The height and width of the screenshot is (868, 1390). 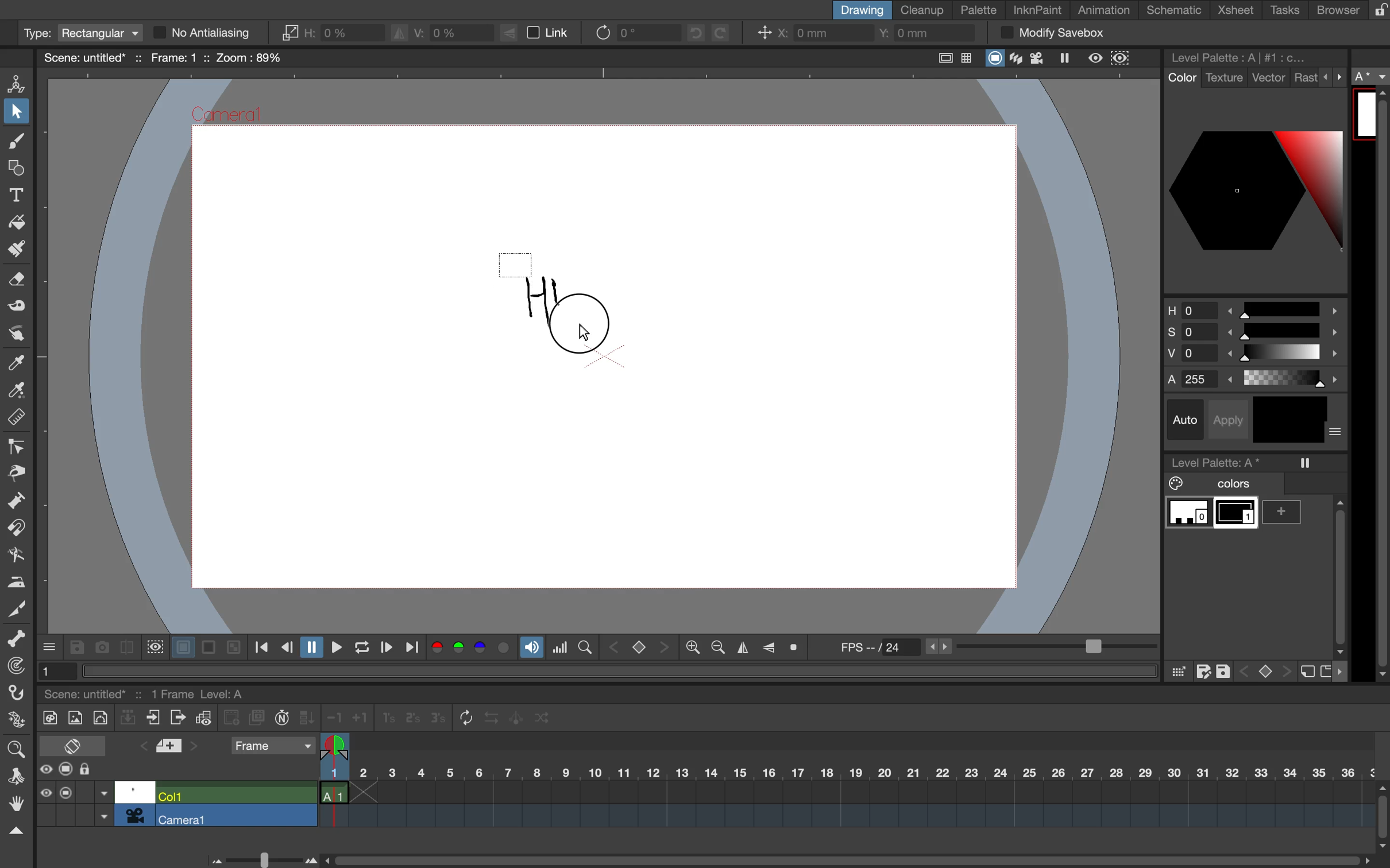 I want to click on horizontal scaling, so click(x=332, y=33).